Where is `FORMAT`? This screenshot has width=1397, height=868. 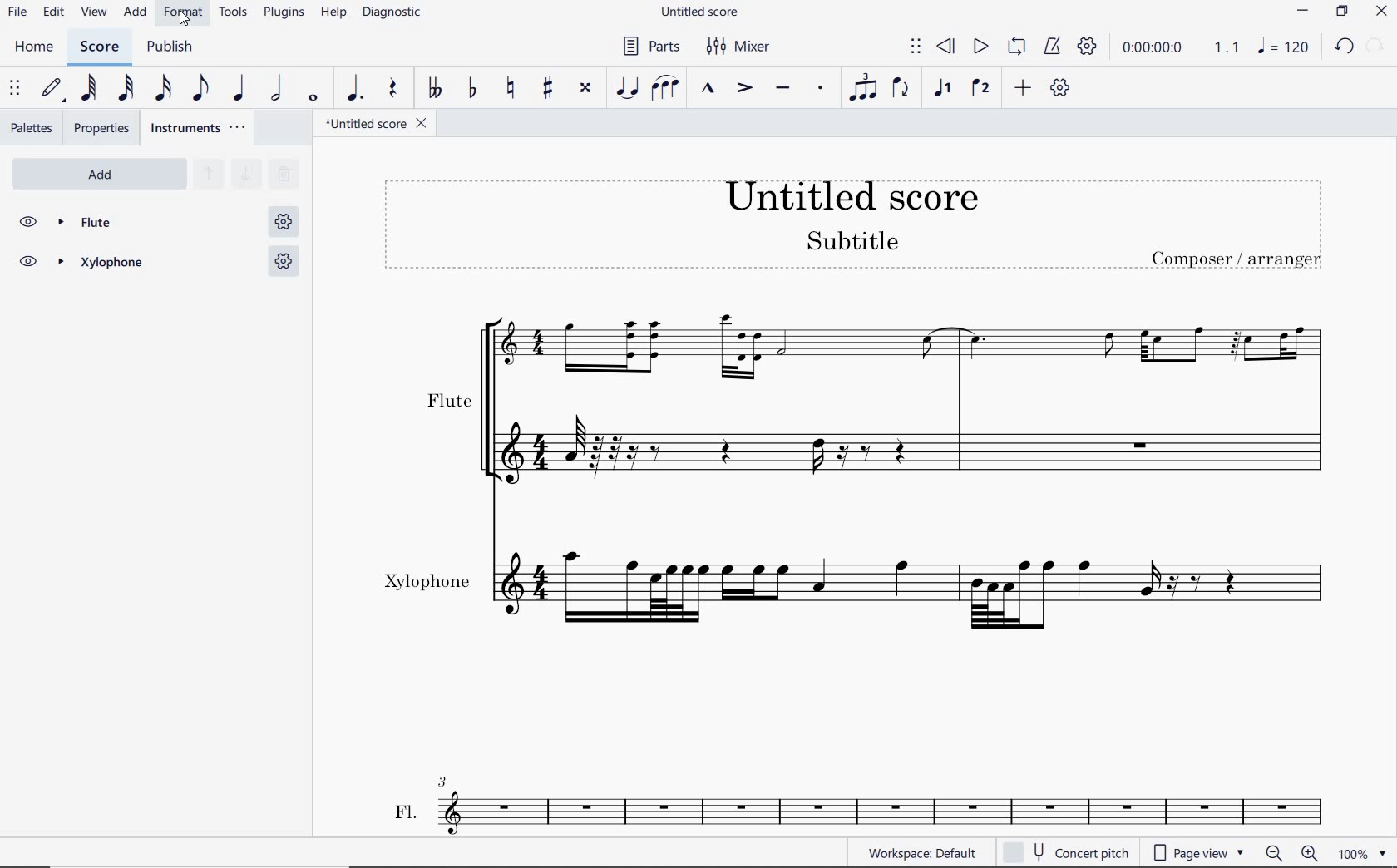
FORMAT is located at coordinates (184, 13).